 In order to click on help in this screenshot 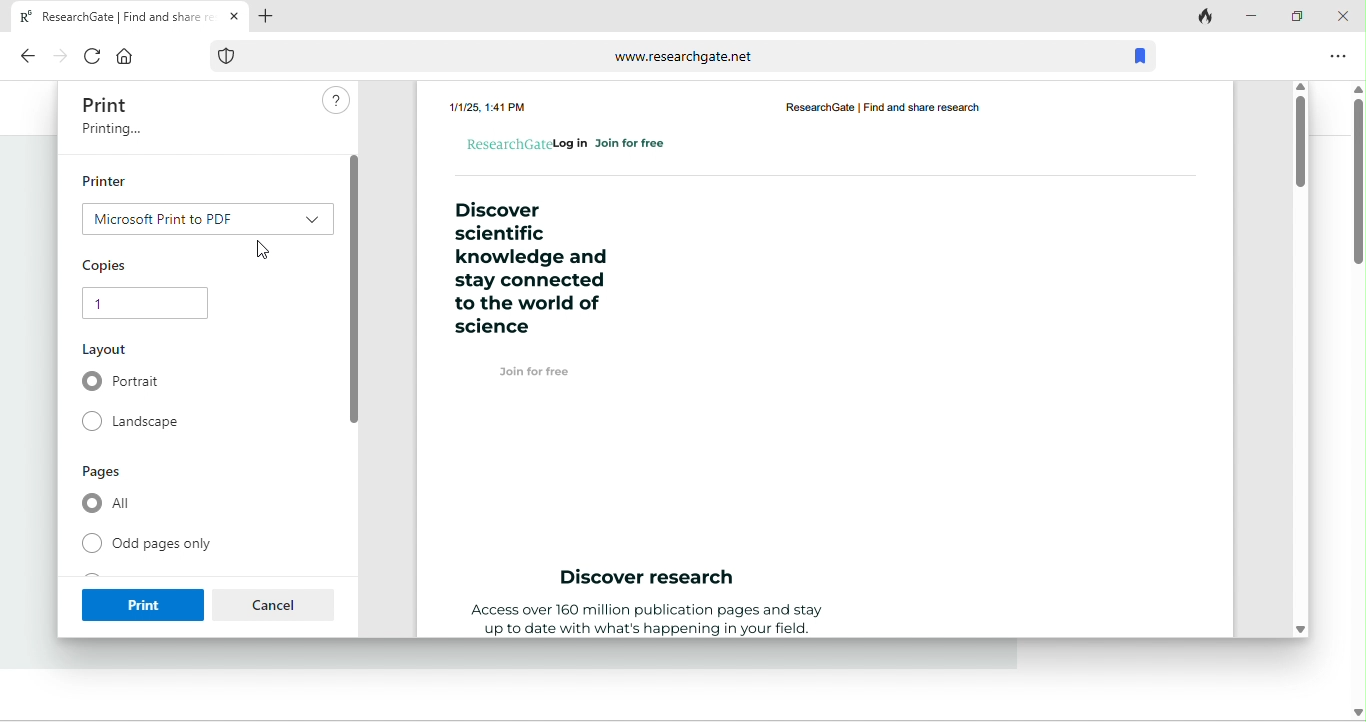, I will do `click(332, 103)`.